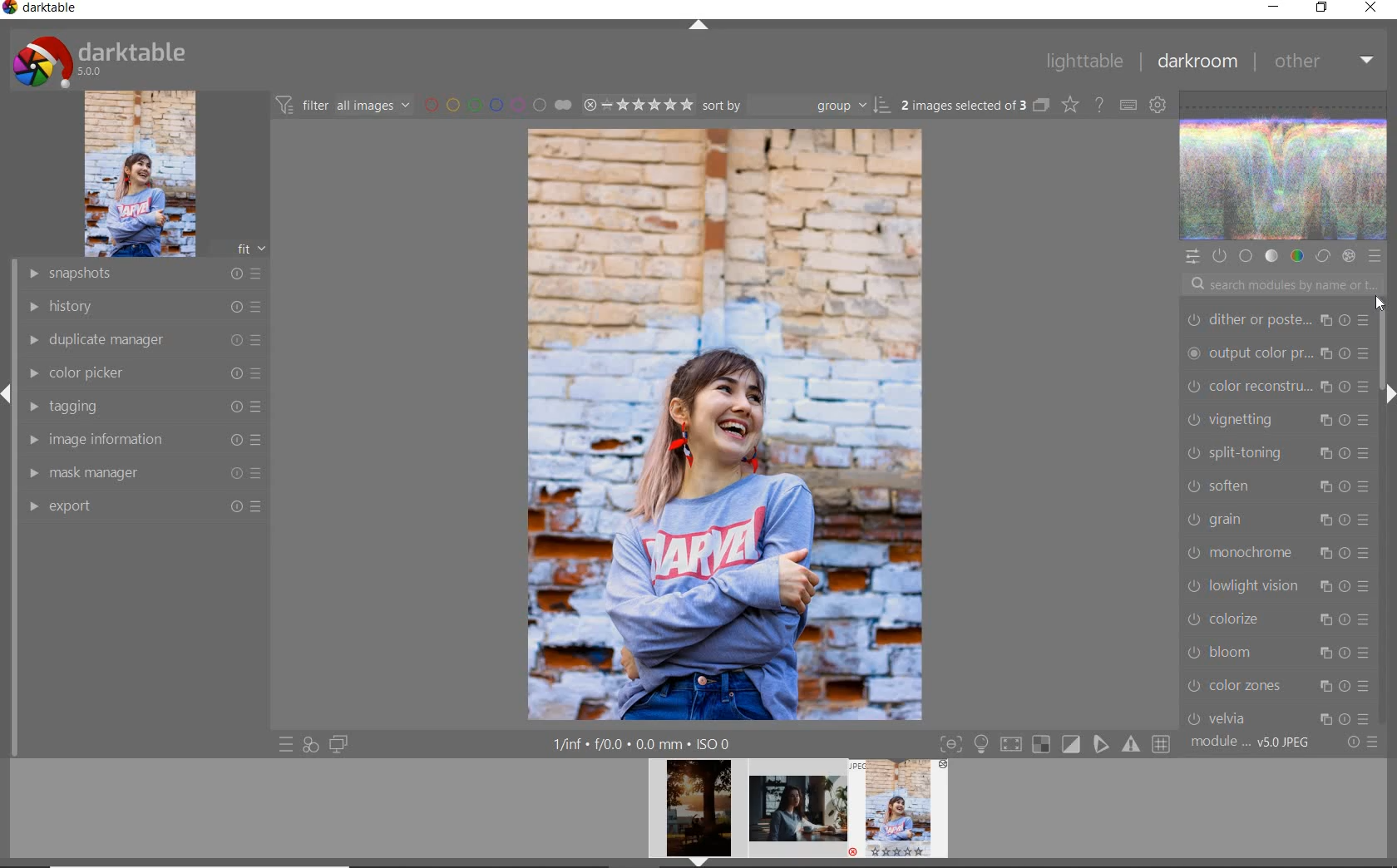 The image size is (1397, 868). I want to click on mask manager, so click(144, 471).